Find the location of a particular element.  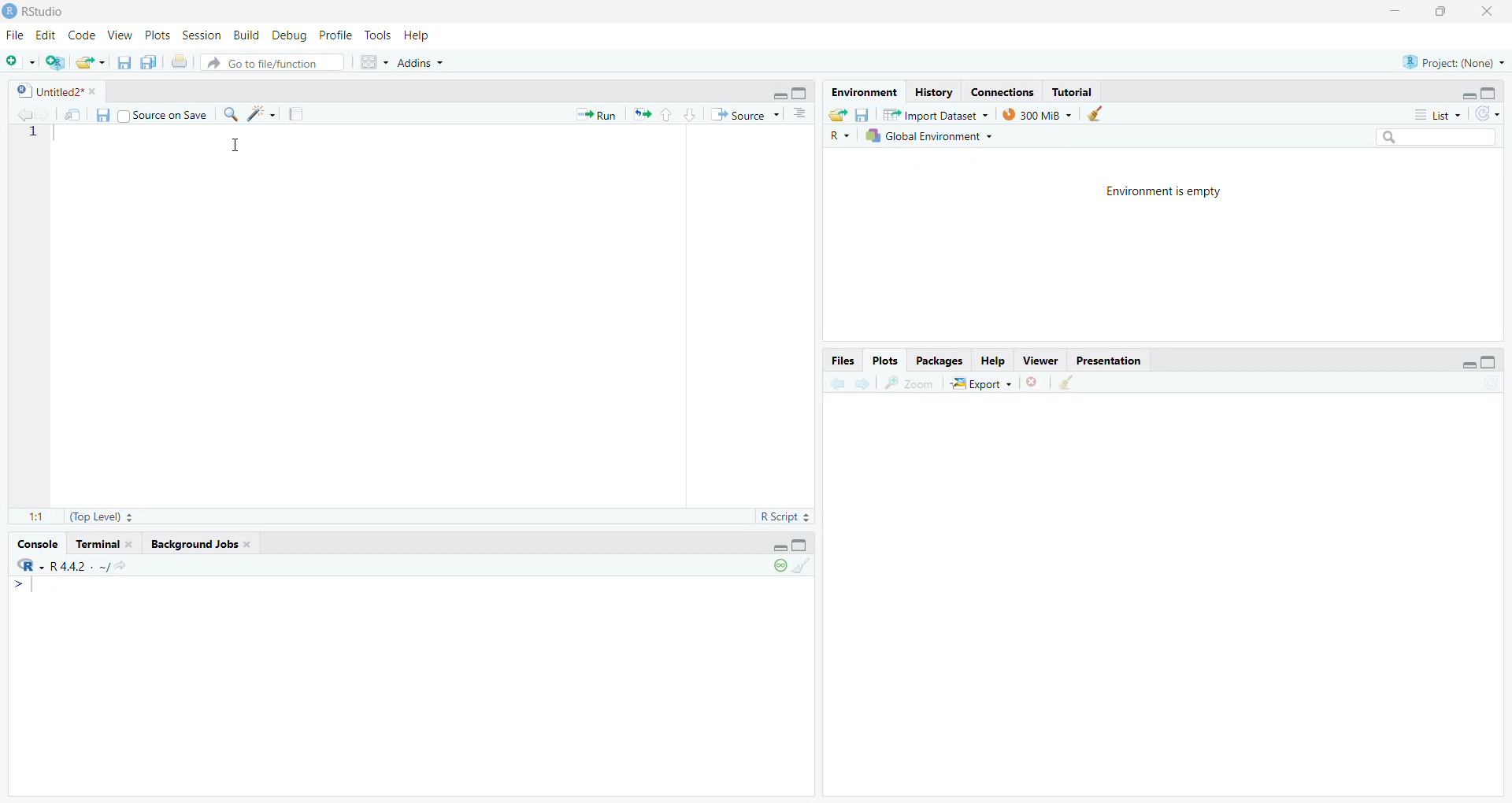

save is located at coordinates (102, 115).